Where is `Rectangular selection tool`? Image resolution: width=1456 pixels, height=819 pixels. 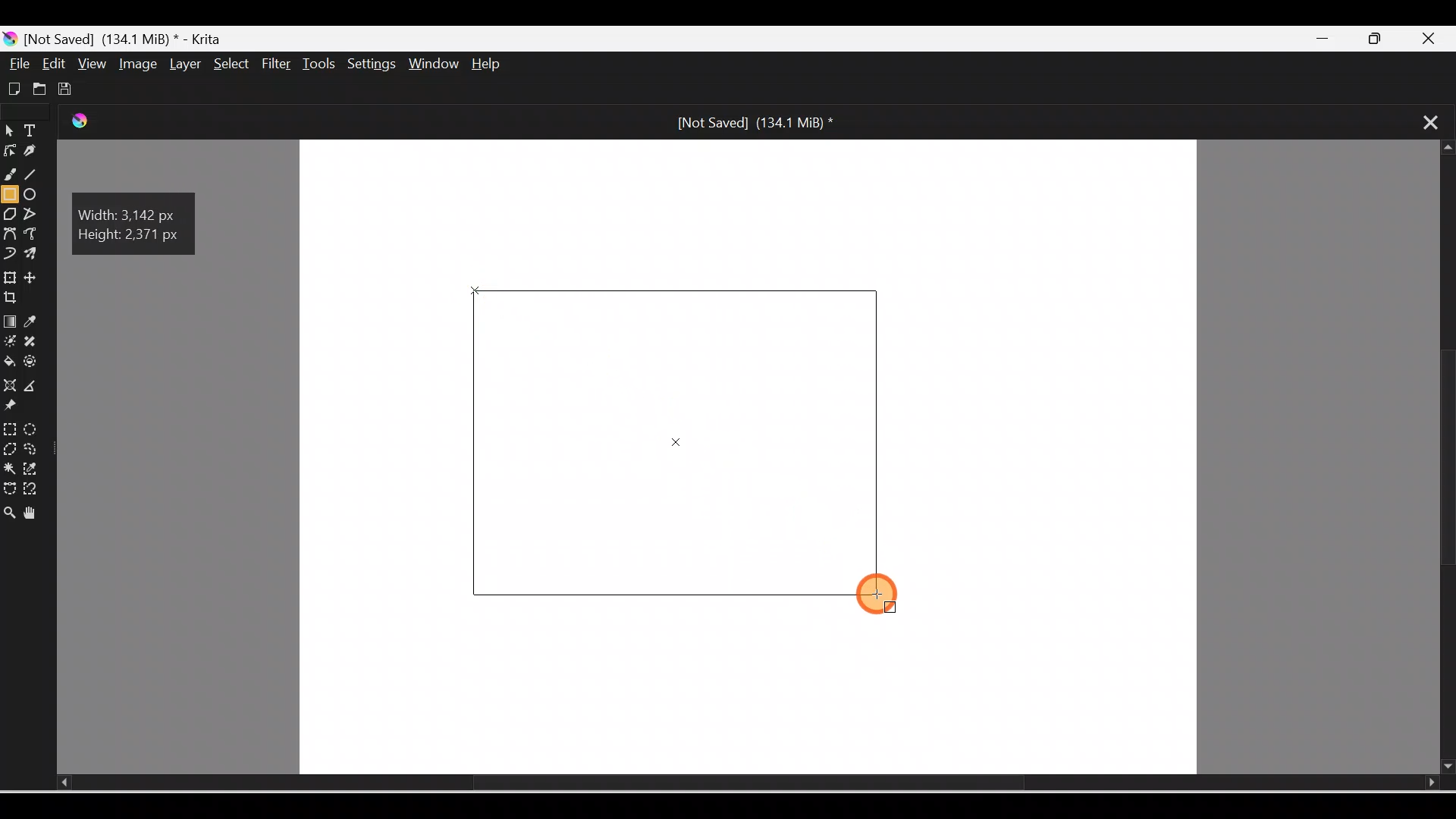 Rectangular selection tool is located at coordinates (9, 426).